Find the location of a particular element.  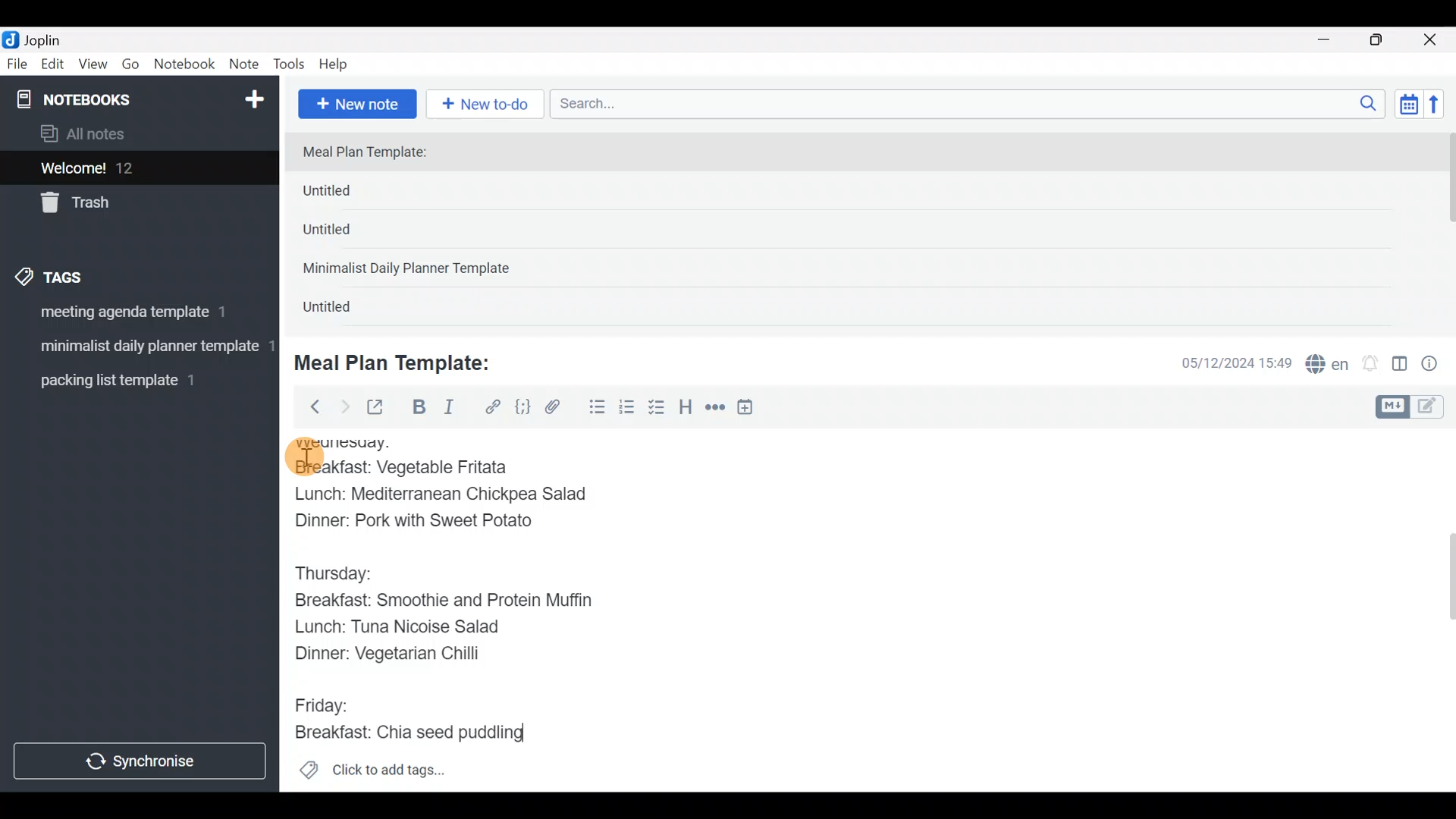

Code is located at coordinates (521, 406).